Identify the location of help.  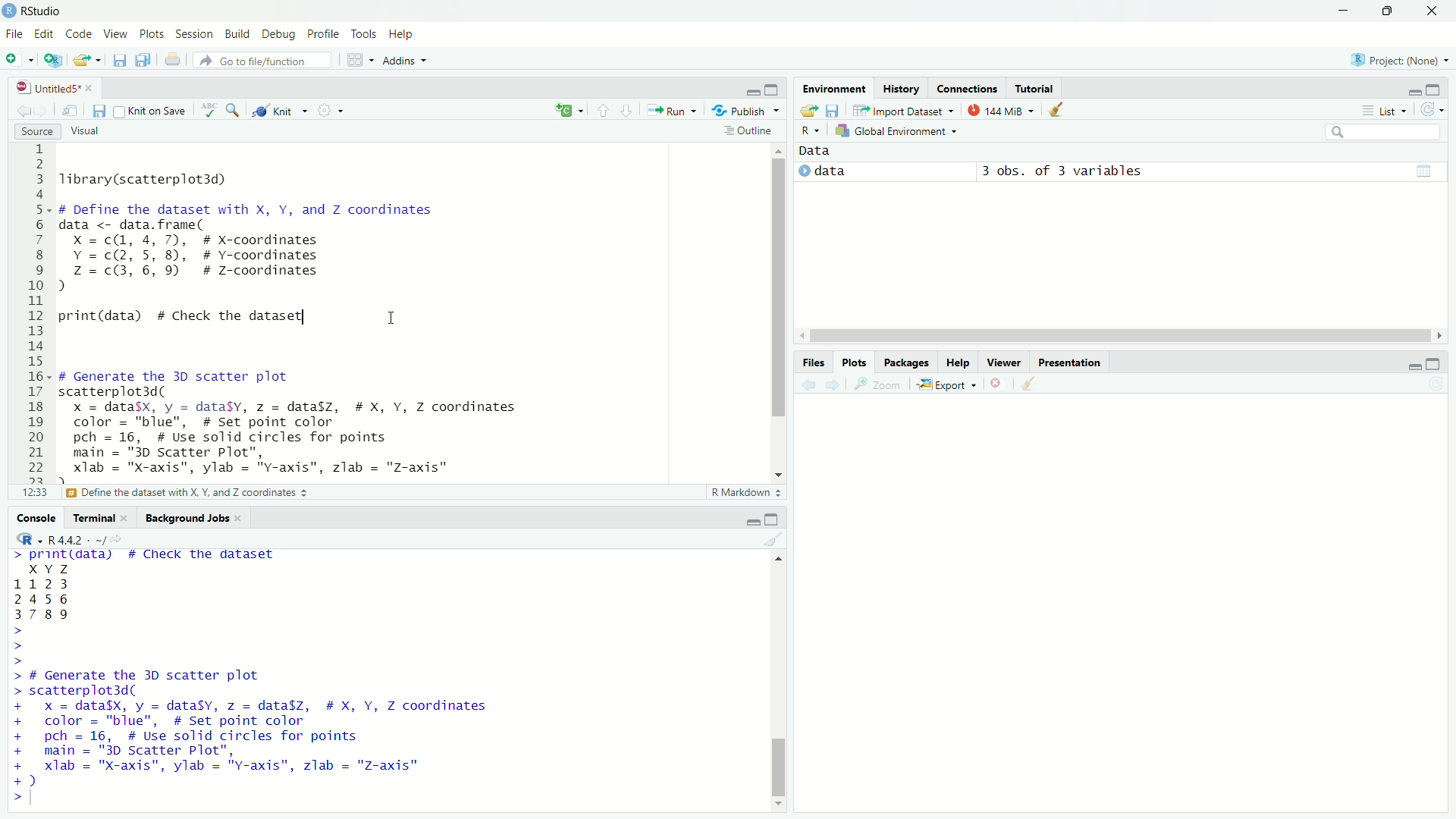
(958, 362).